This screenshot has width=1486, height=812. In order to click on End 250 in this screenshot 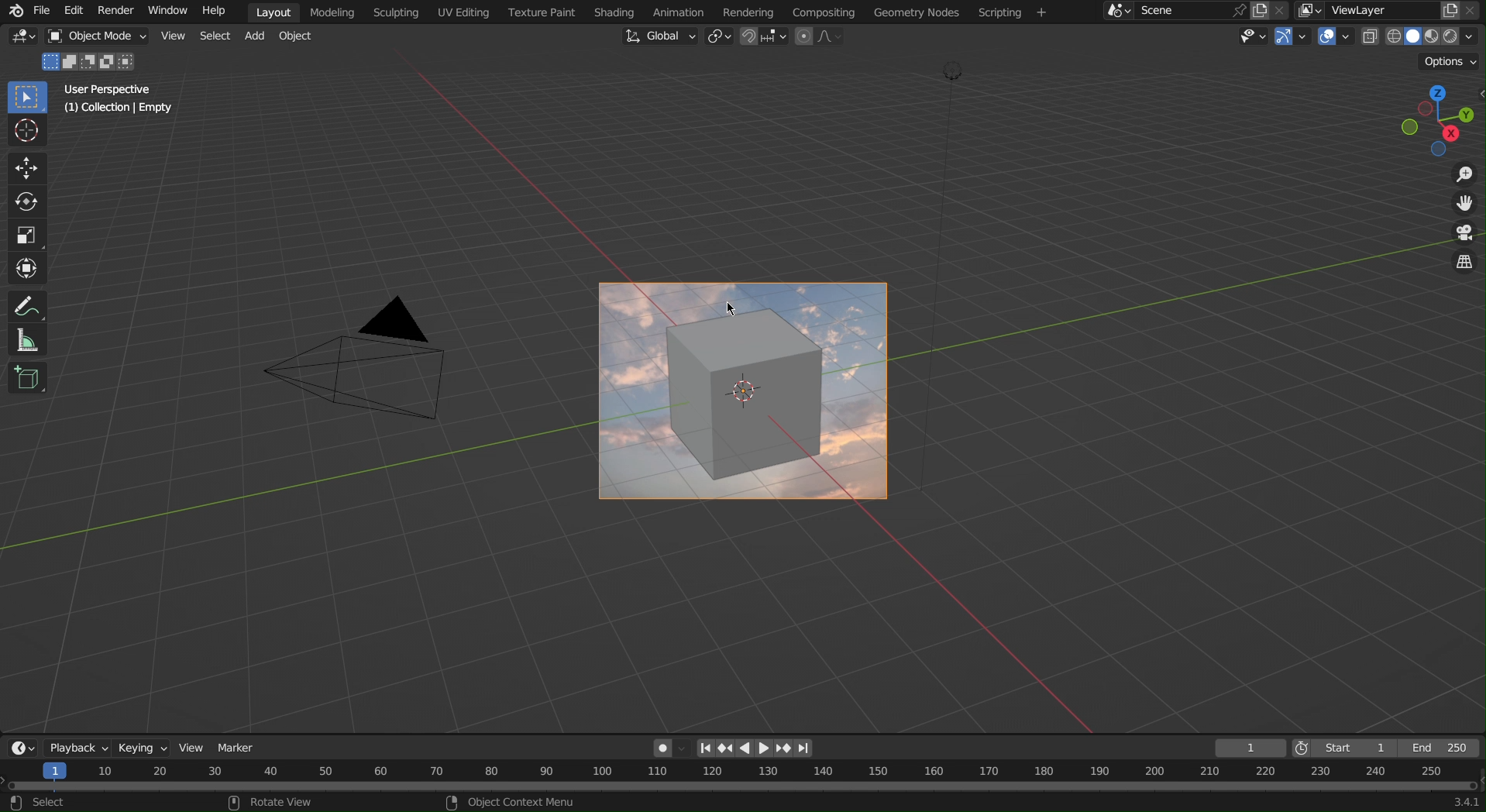, I will do `click(1445, 745)`.